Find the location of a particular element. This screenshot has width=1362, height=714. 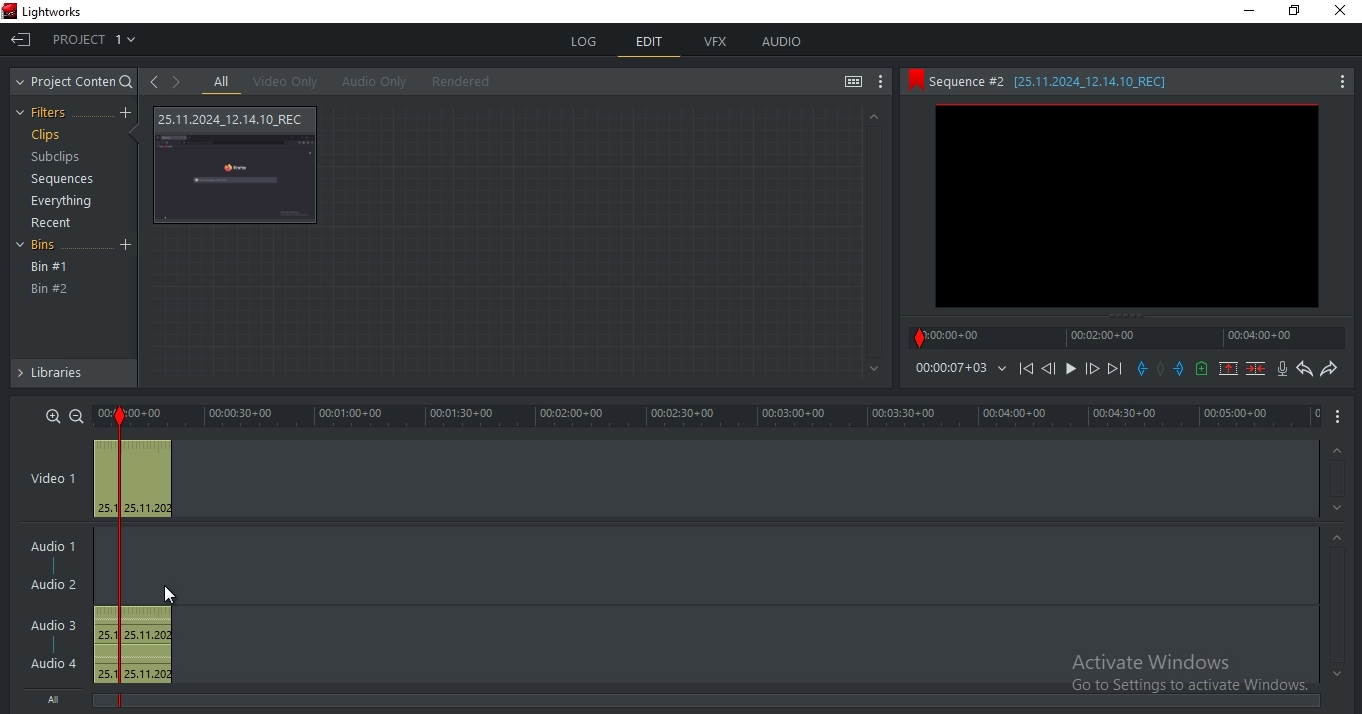

video only is located at coordinates (285, 82).